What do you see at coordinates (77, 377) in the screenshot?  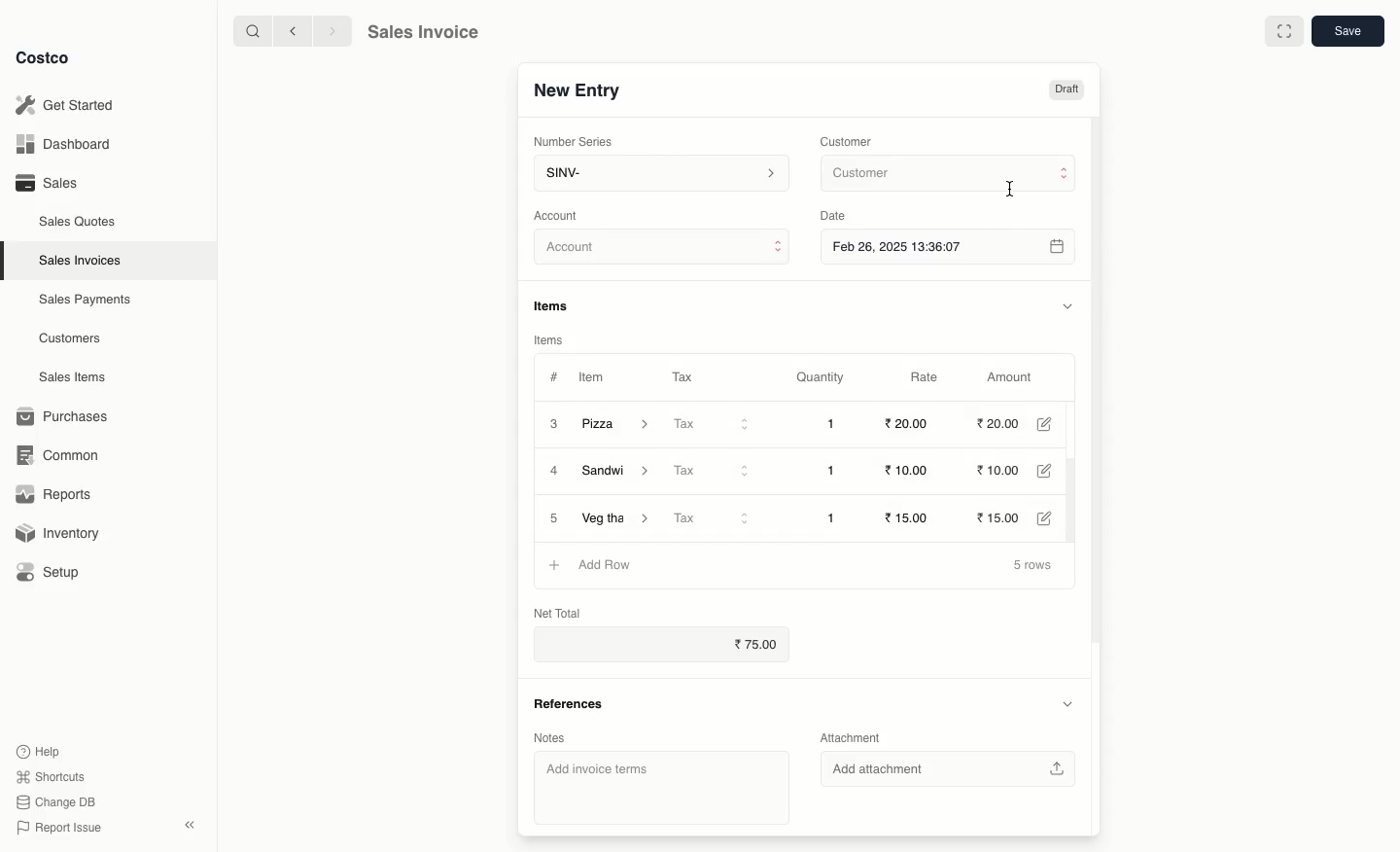 I see `Sales Items` at bounding box center [77, 377].